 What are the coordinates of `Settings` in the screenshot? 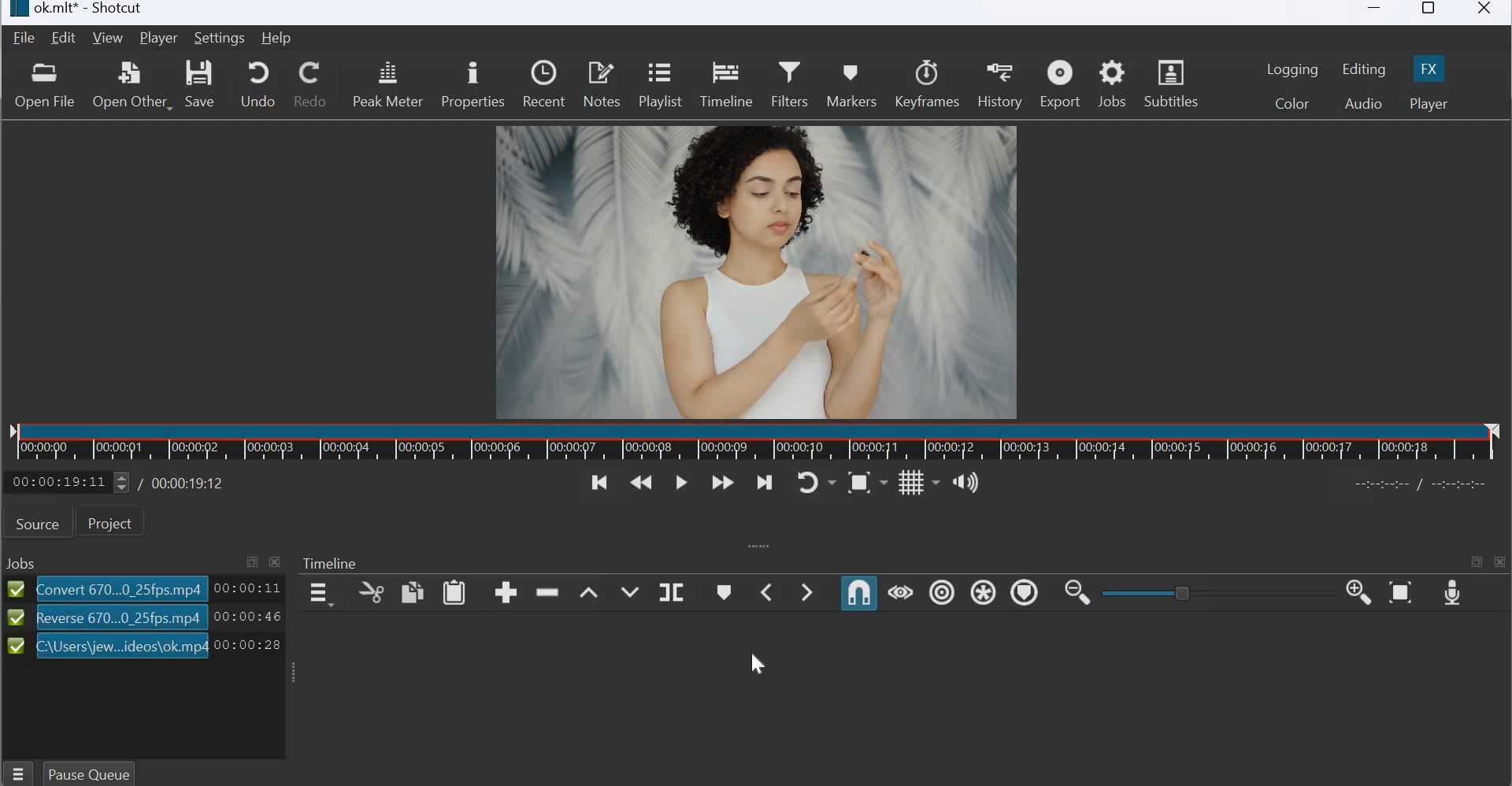 It's located at (219, 38).